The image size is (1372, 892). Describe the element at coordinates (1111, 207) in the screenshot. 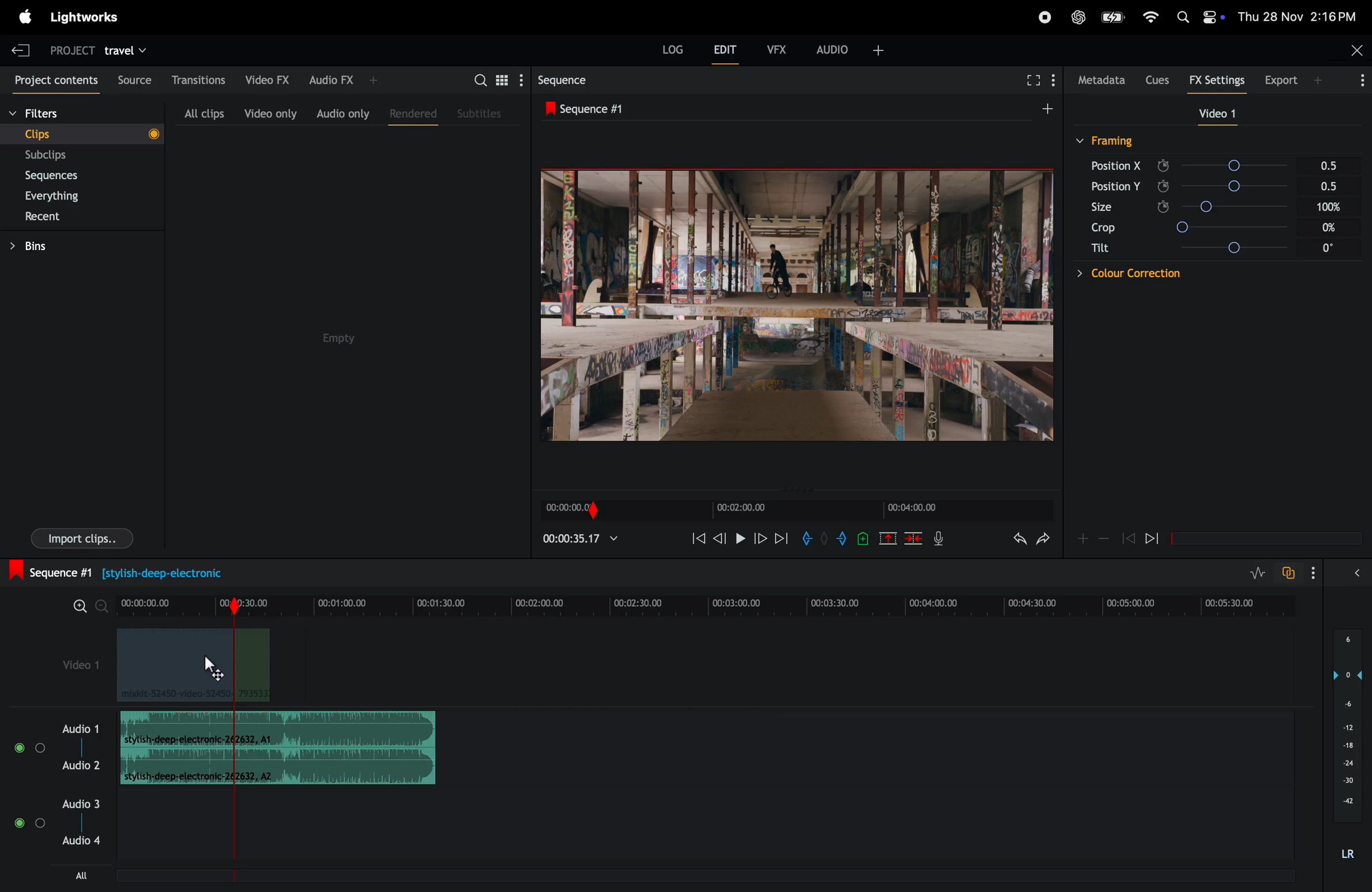

I see `size` at that location.